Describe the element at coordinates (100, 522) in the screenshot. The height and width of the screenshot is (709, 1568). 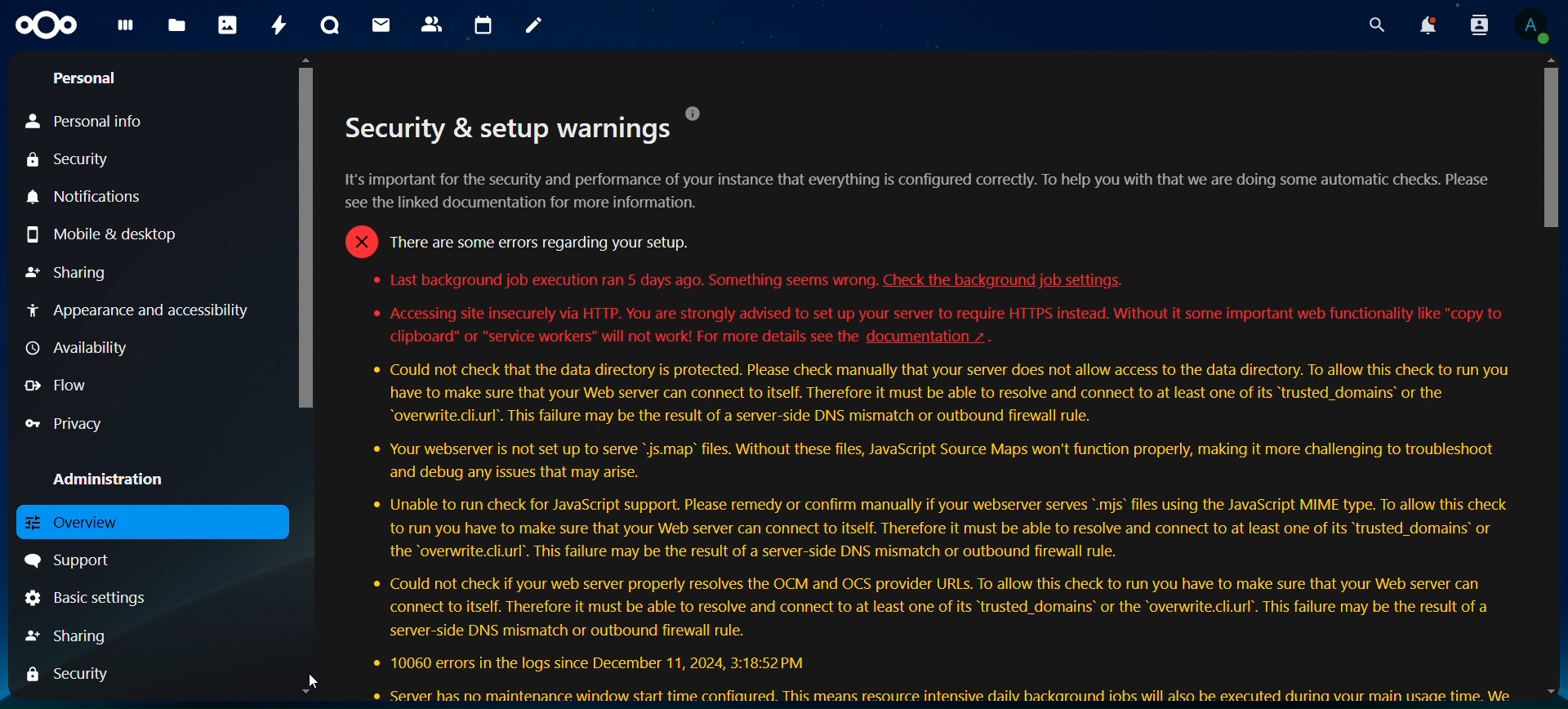
I see `overview` at that location.